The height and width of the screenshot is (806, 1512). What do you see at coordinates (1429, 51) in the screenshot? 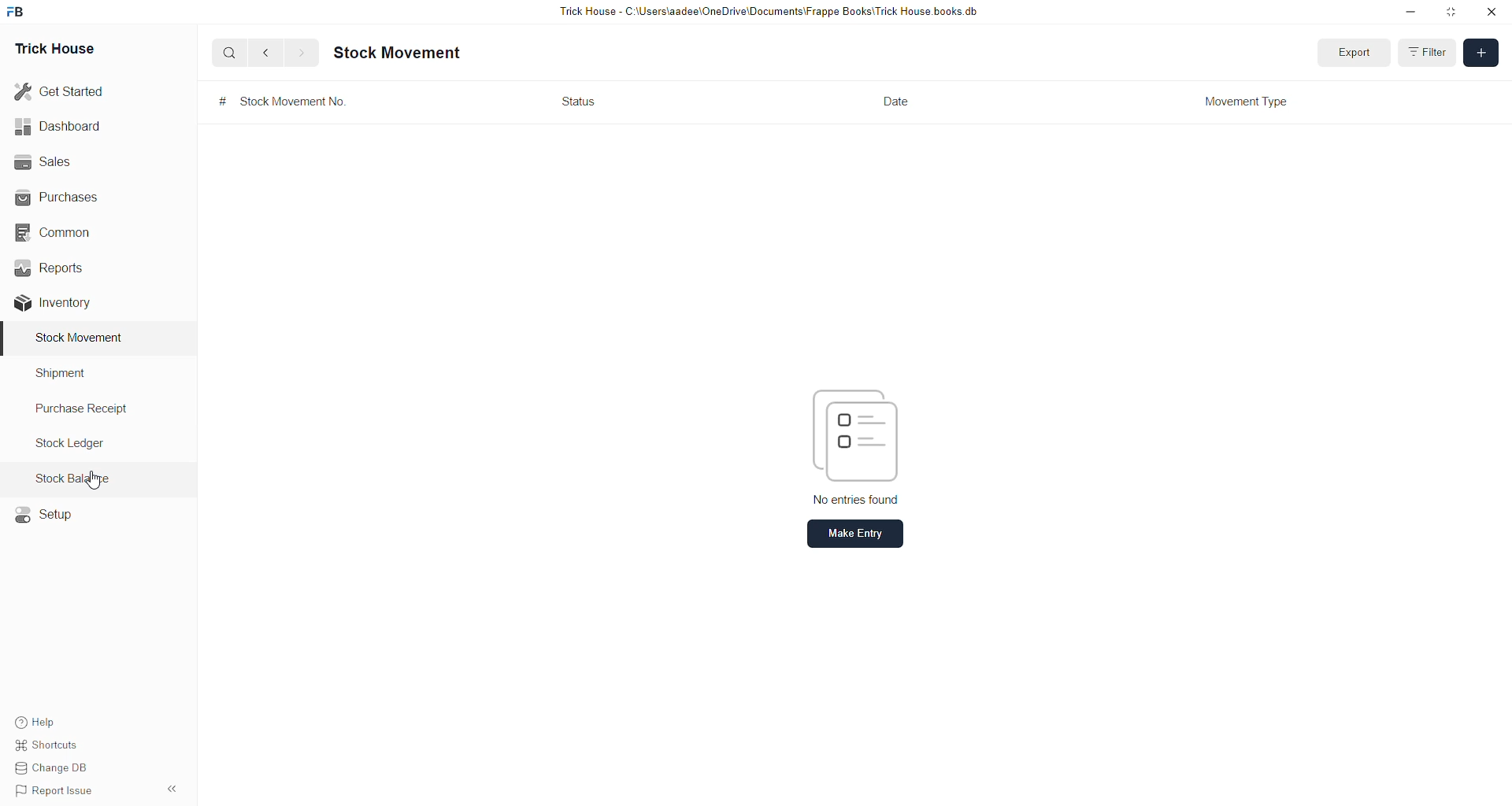
I see `This year` at bounding box center [1429, 51].